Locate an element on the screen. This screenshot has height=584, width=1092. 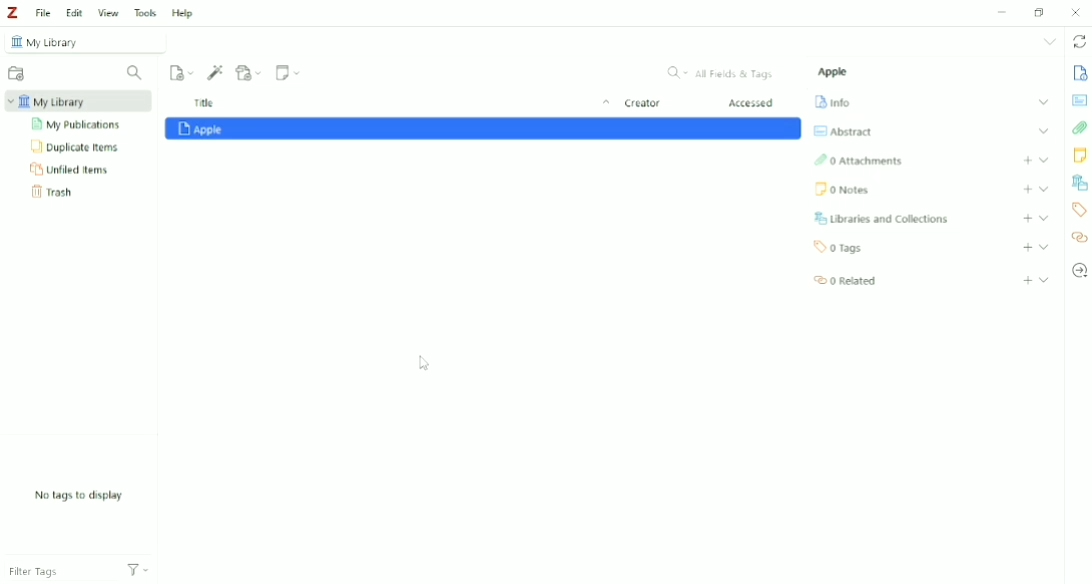
New Collection is located at coordinates (15, 73).